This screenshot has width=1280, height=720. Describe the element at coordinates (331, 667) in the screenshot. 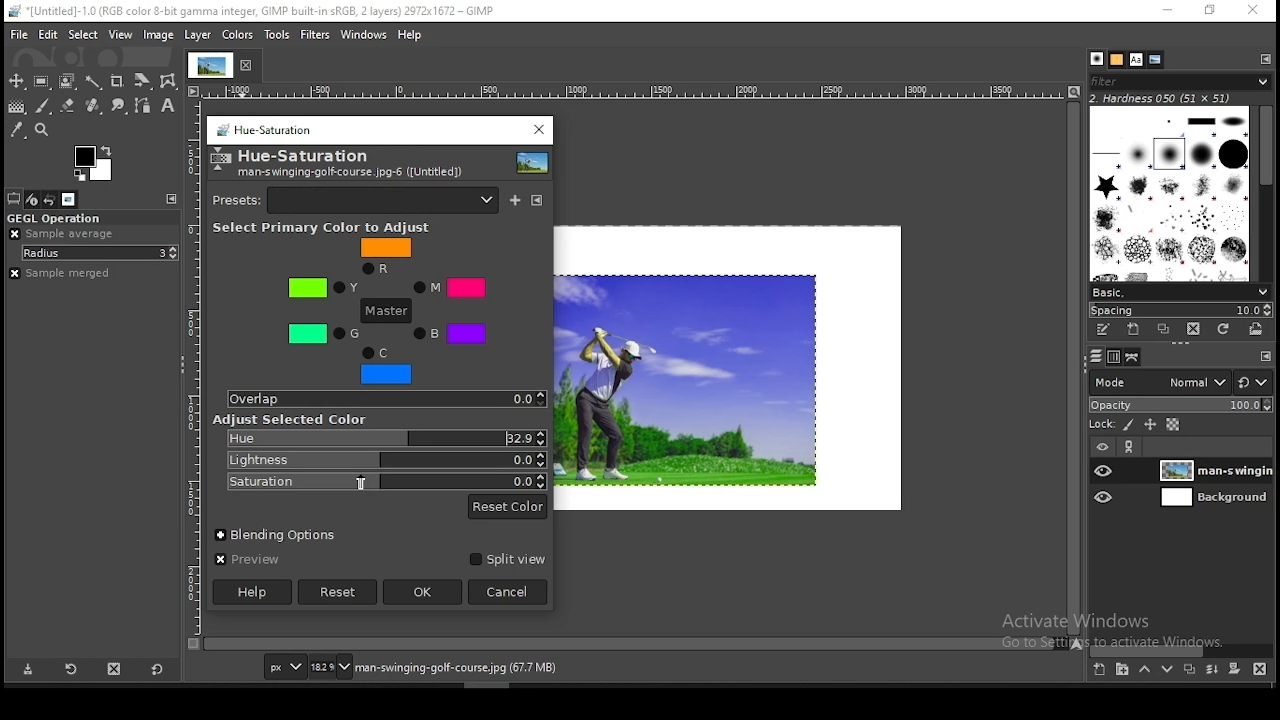

I see `zoom status` at that location.